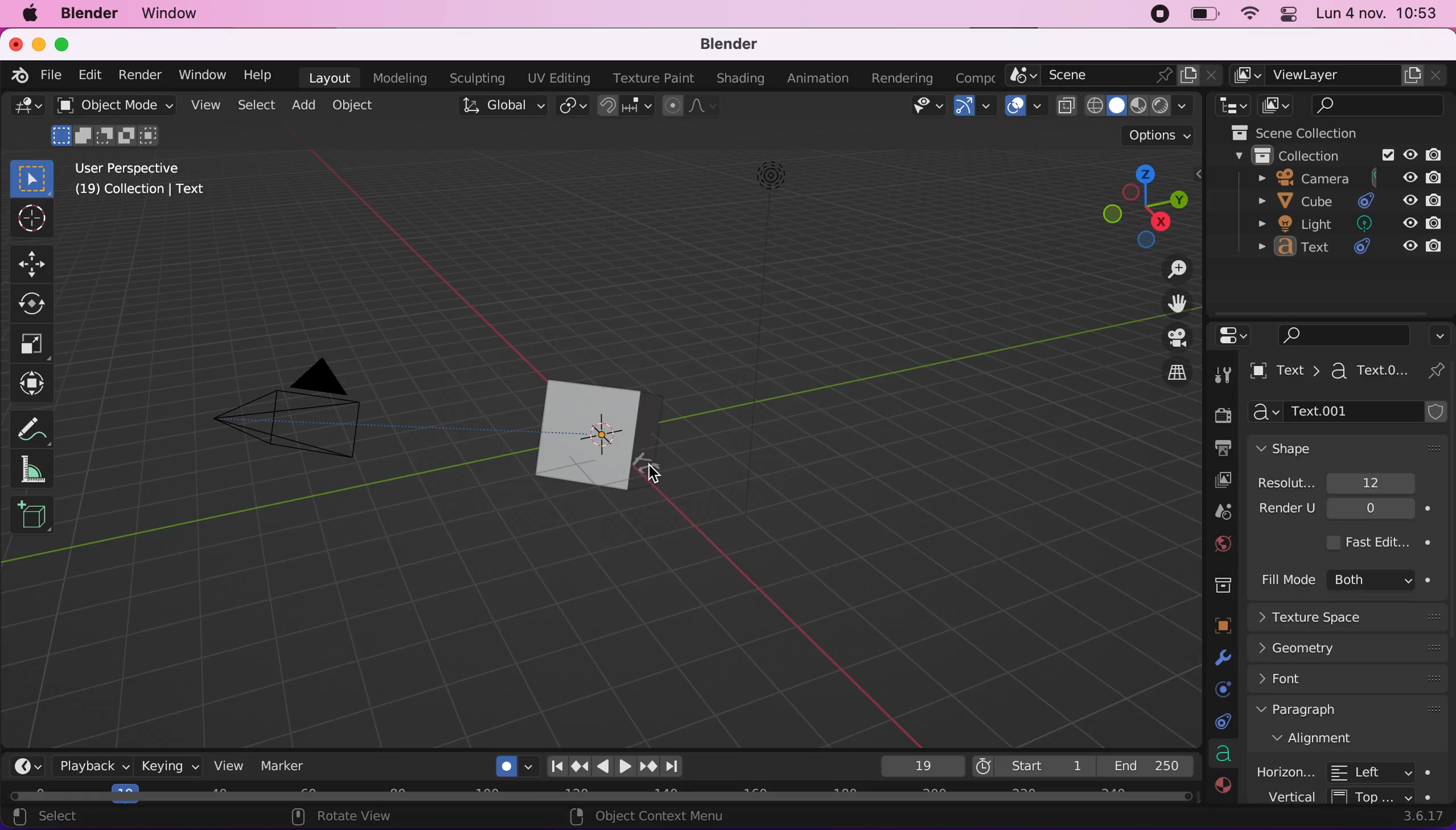 The image size is (1456, 830). I want to click on modeling, so click(405, 78).